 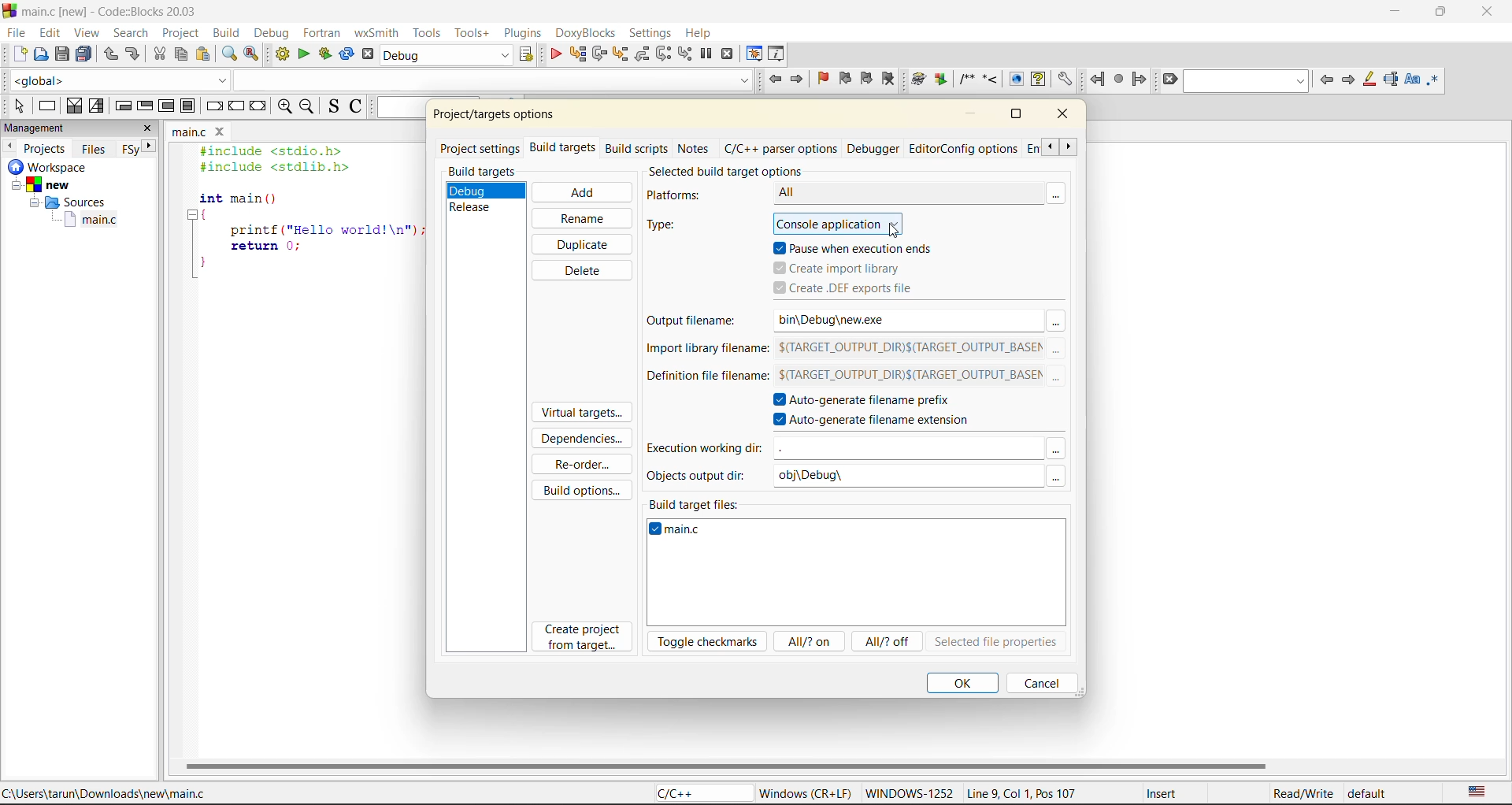 I want to click on reorder, so click(x=580, y=465).